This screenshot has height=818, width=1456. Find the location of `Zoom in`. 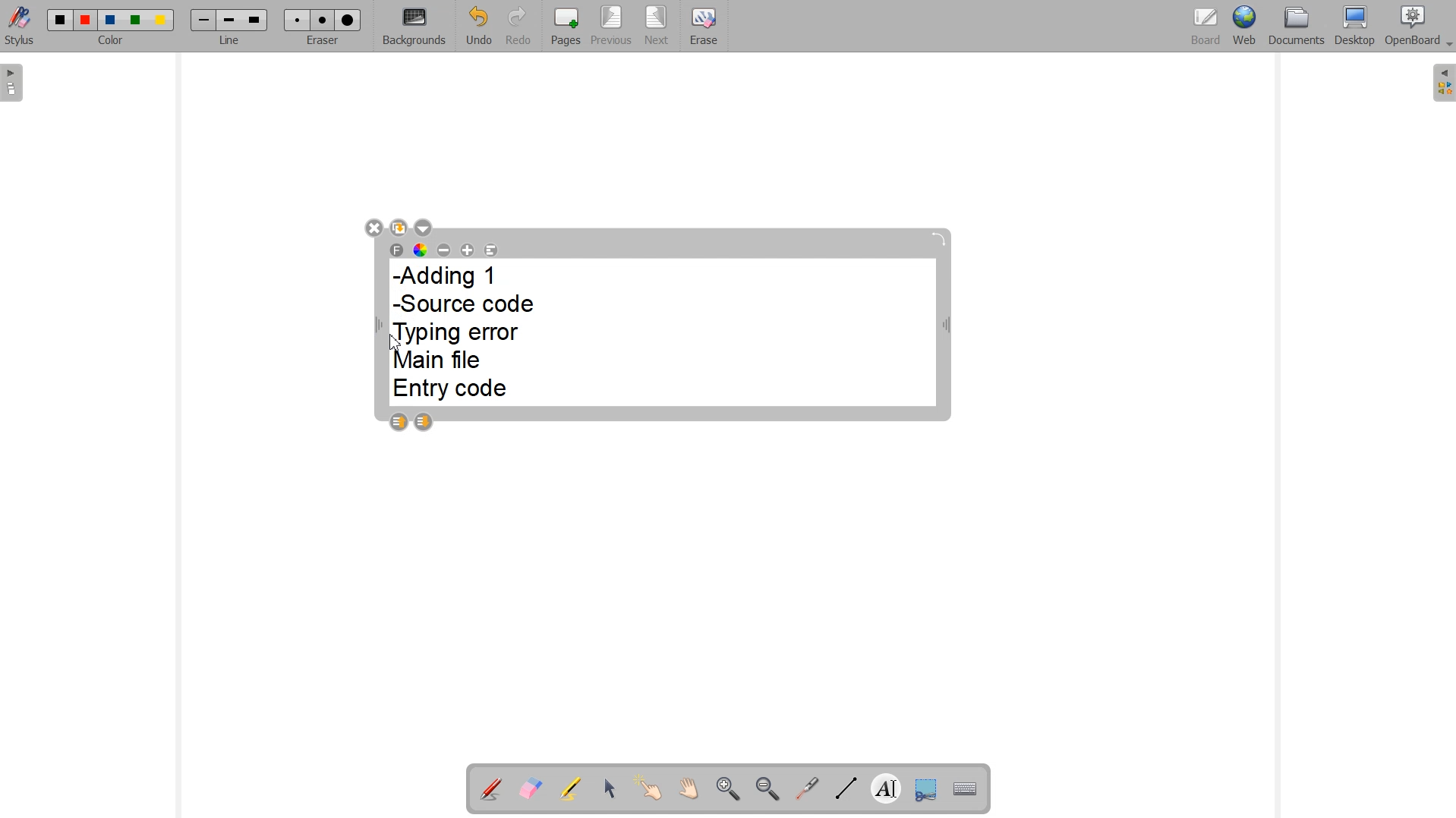

Zoom in is located at coordinates (726, 788).